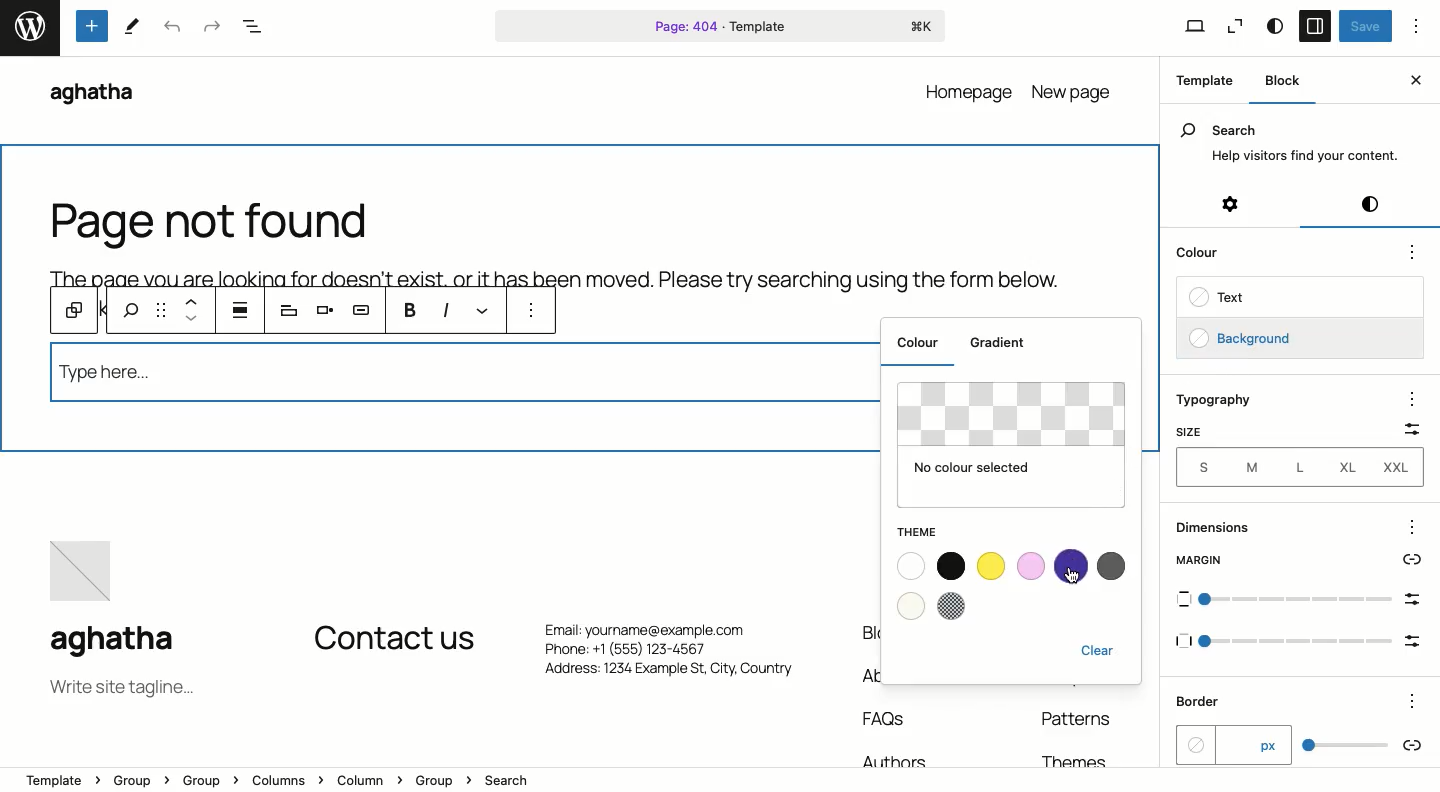 Image resolution: width=1440 pixels, height=792 pixels. Describe the element at coordinates (1302, 639) in the screenshot. I see `` at that location.